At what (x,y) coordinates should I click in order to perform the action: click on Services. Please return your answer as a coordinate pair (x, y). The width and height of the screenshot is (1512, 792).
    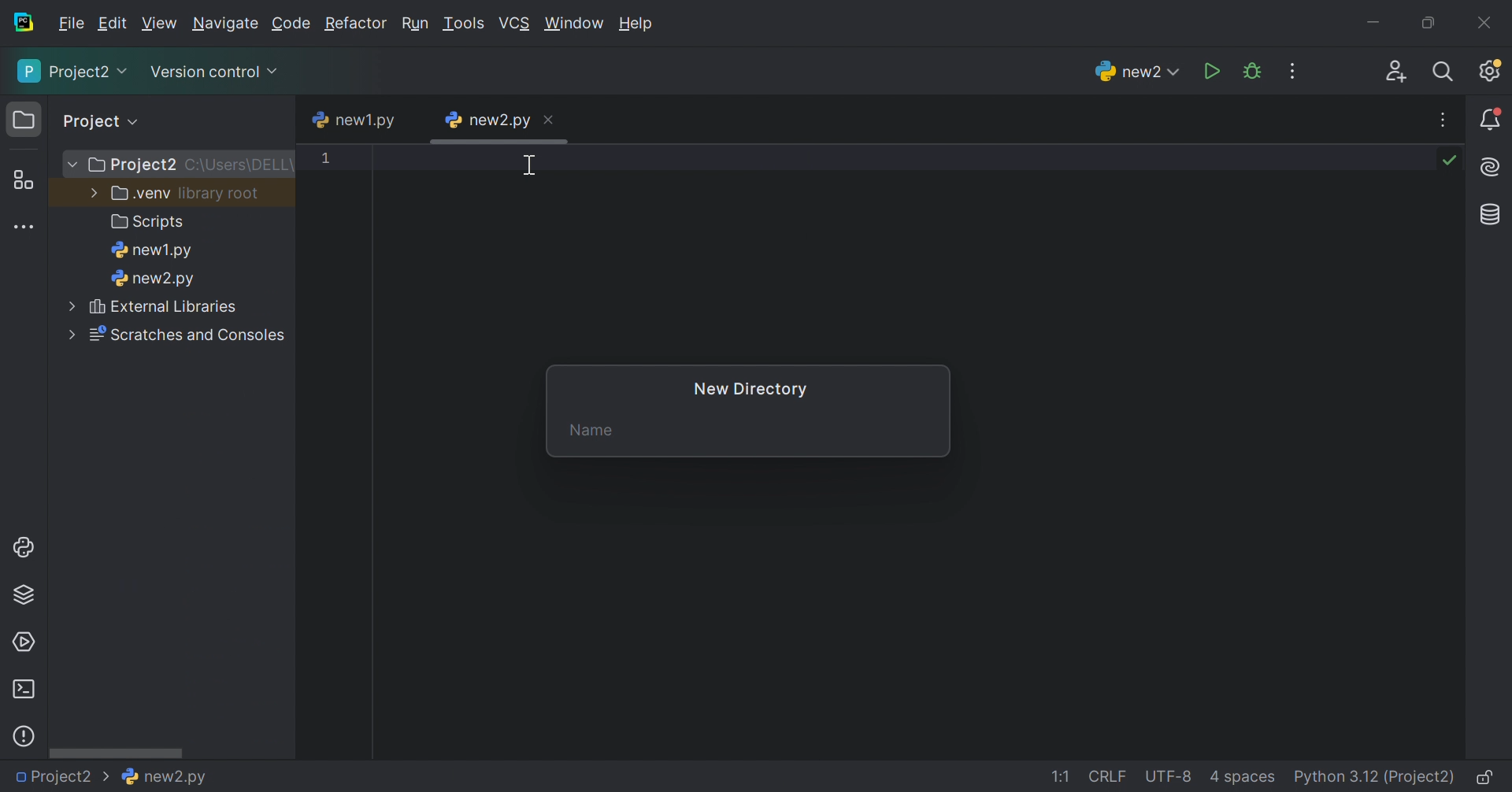
    Looking at the image, I should click on (24, 641).